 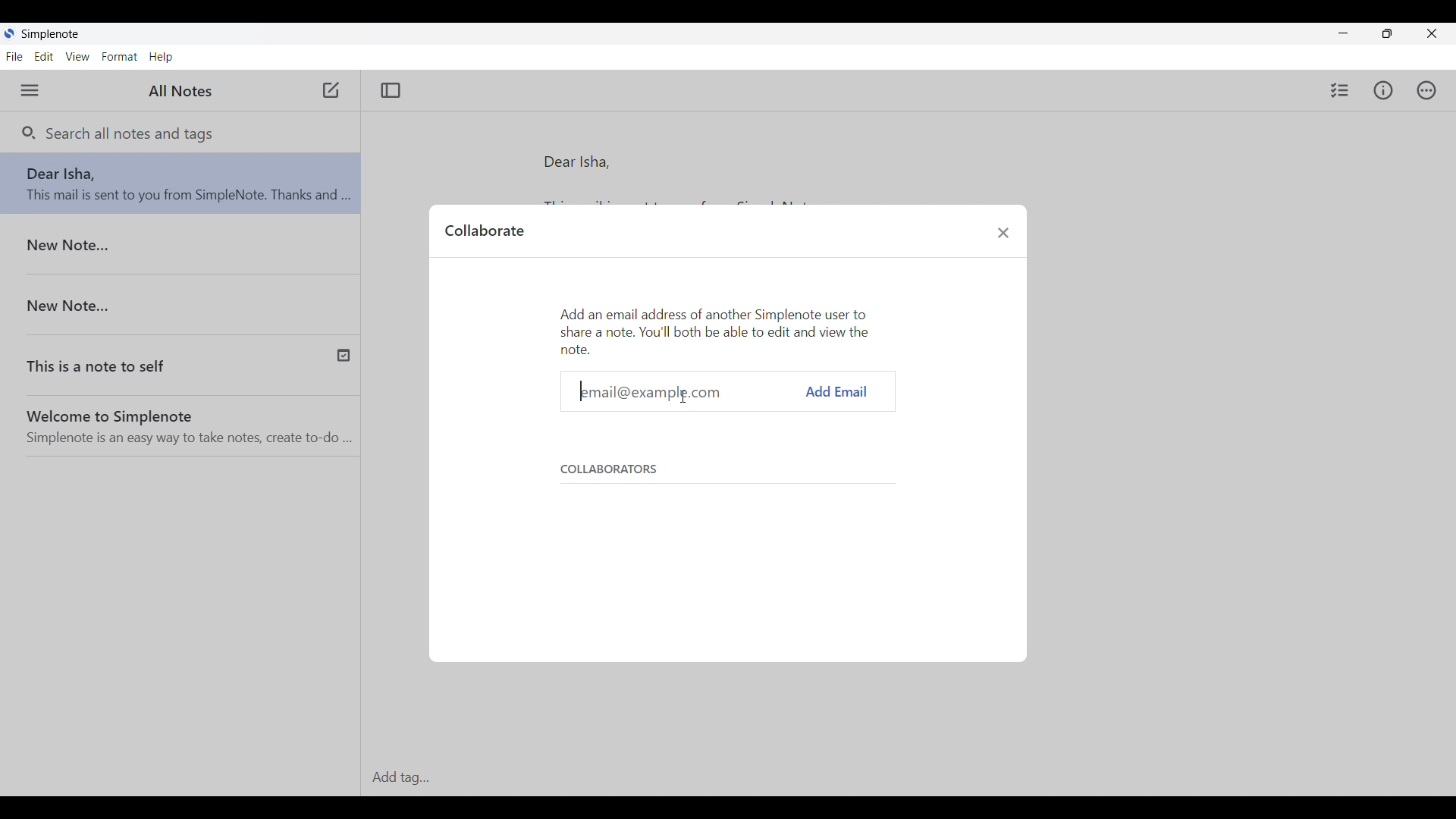 I want to click on Click to add new note, so click(x=330, y=90).